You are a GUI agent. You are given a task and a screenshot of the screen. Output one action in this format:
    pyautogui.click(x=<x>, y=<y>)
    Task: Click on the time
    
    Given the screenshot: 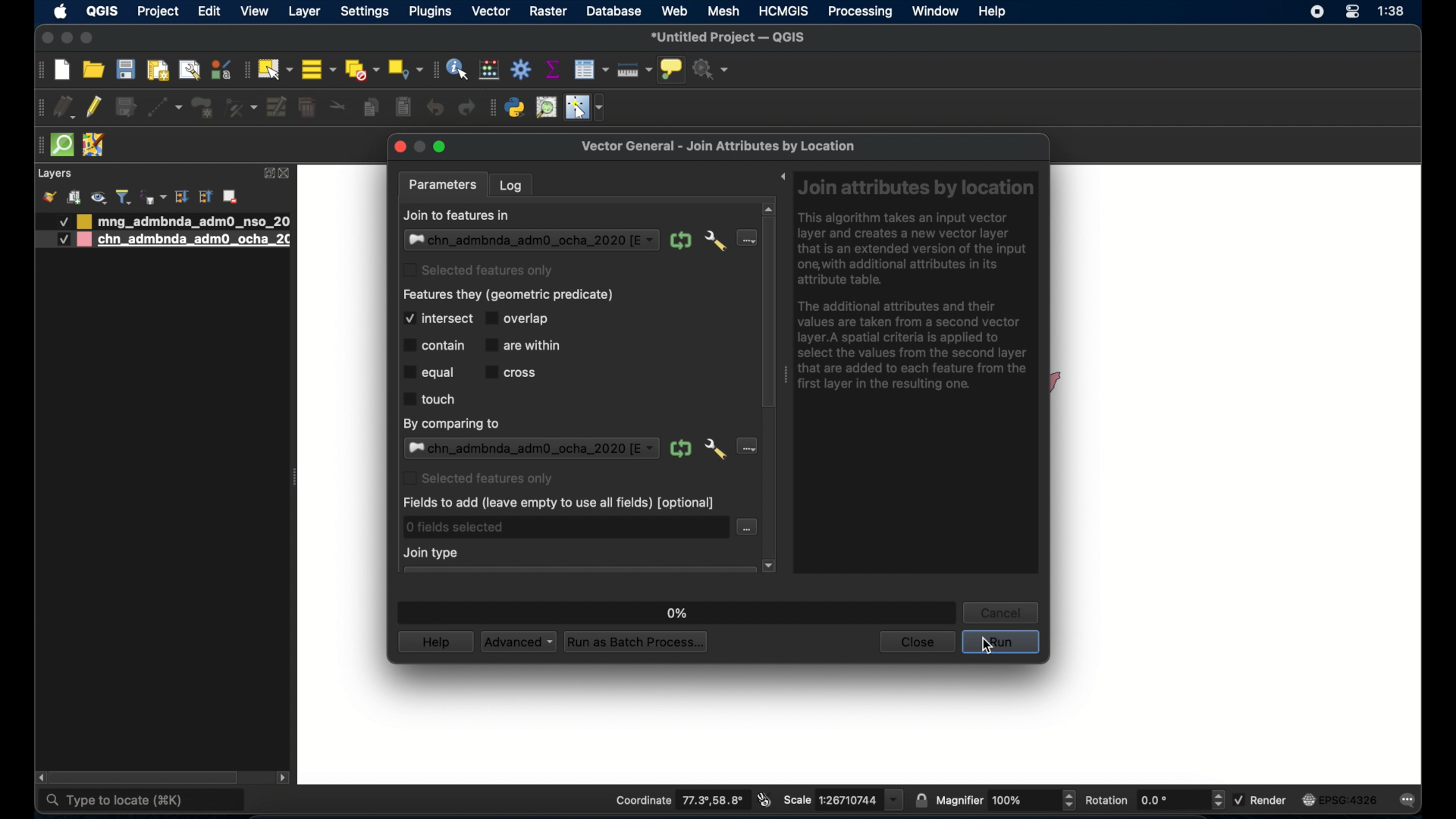 What is the action you would take?
    pyautogui.click(x=1394, y=12)
    